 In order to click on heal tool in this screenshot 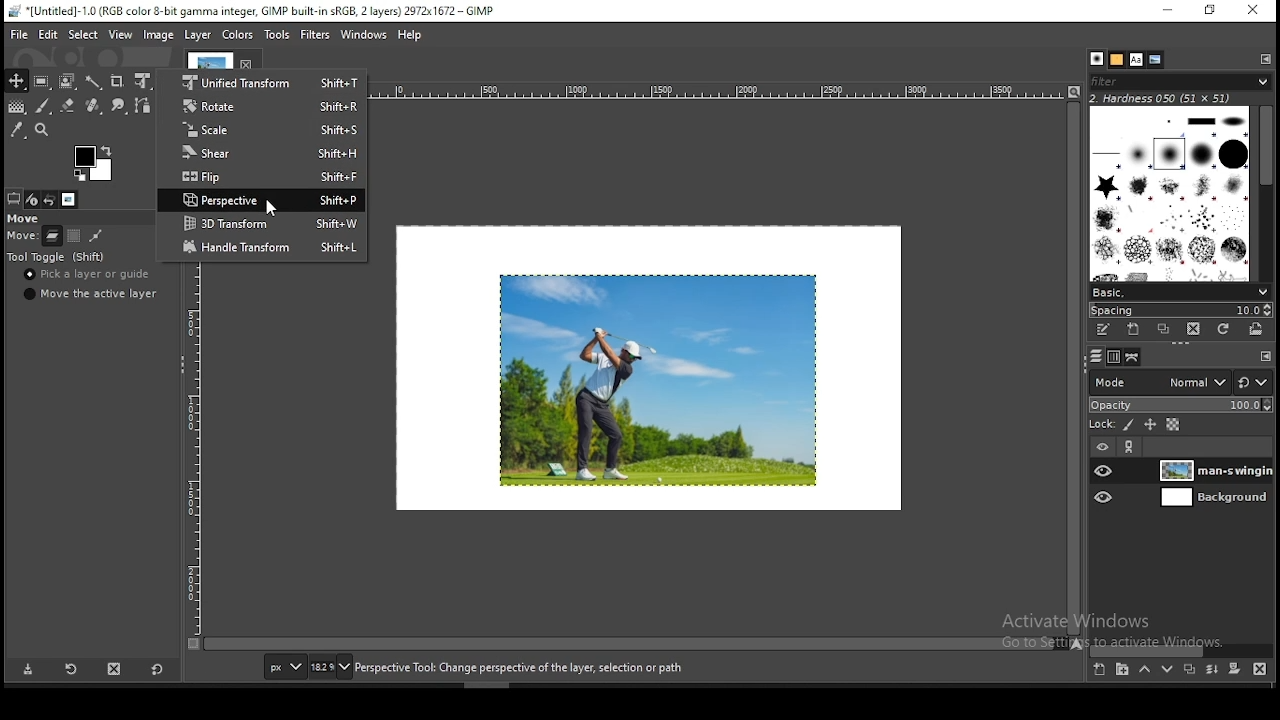, I will do `click(93, 108)`.